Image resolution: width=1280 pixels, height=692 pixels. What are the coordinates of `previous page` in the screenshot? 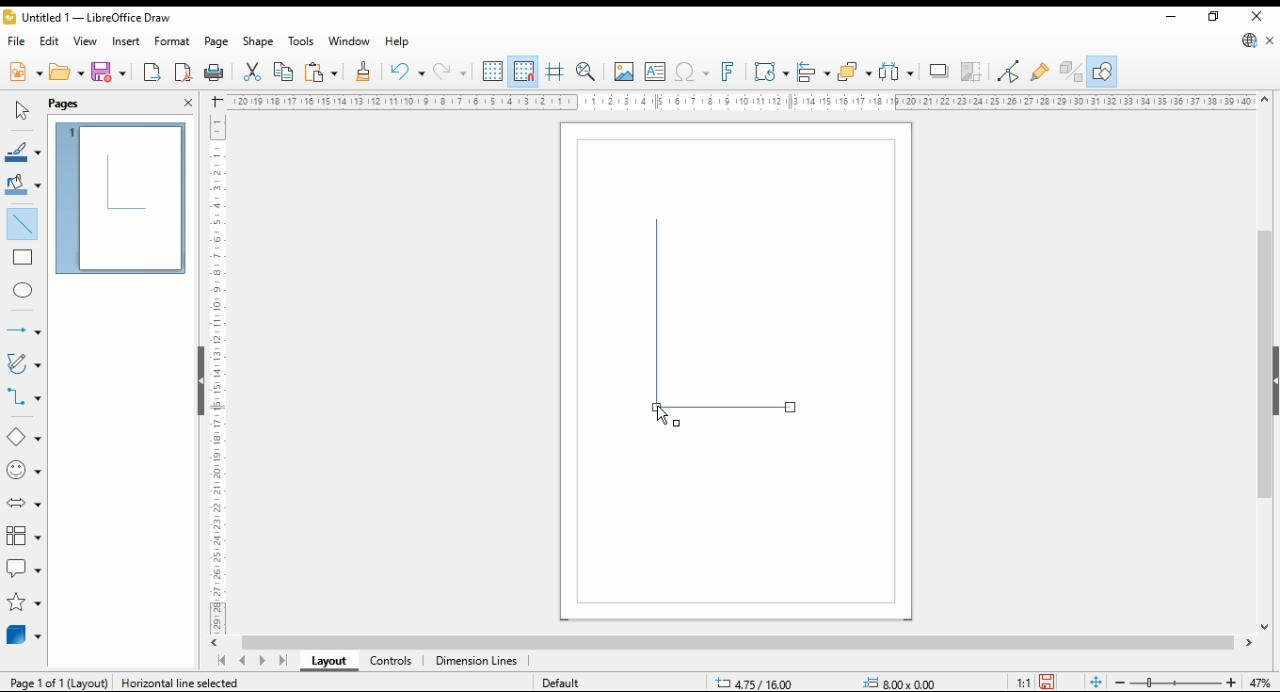 It's located at (242, 662).